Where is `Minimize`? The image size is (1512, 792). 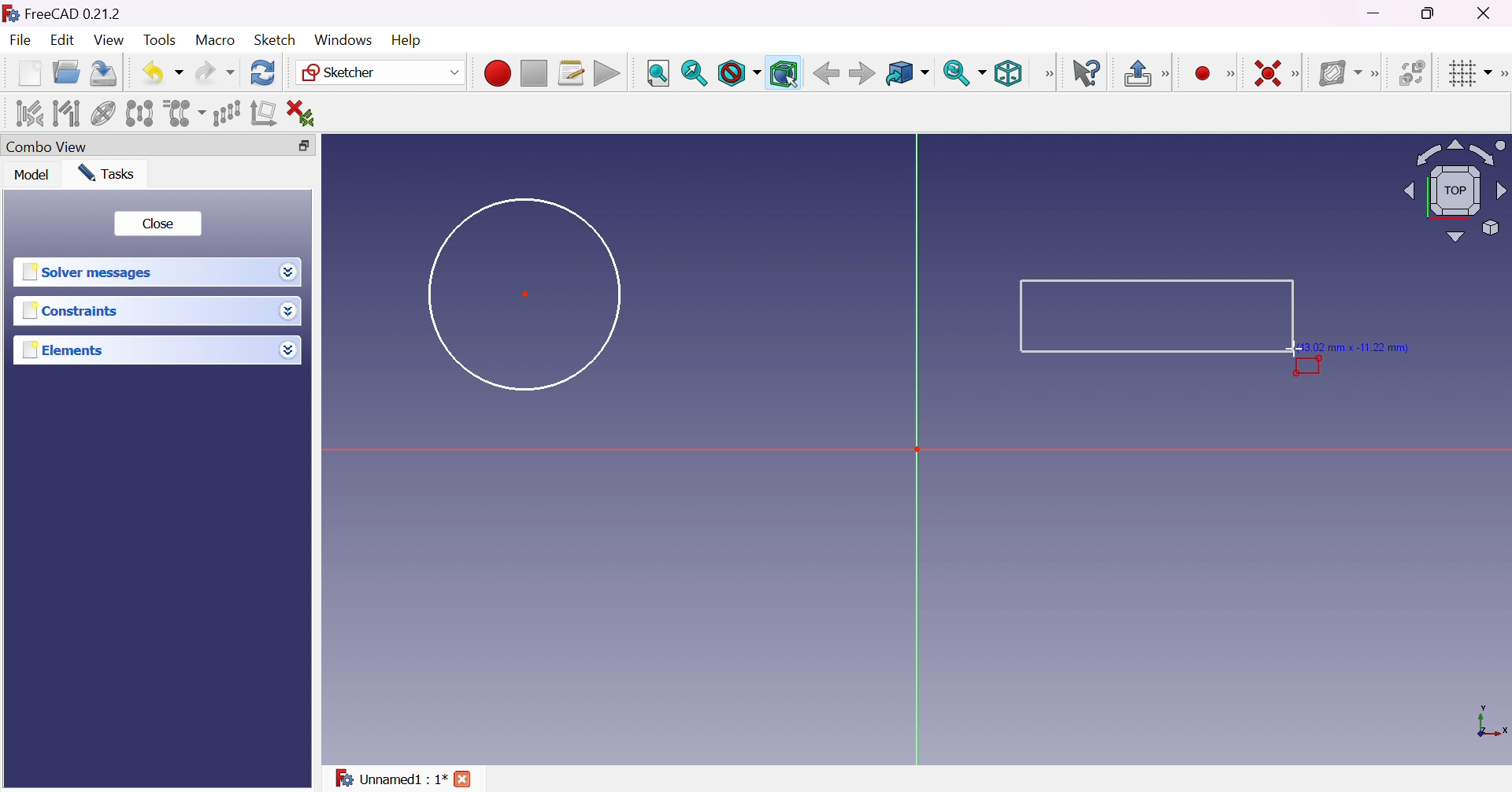 Minimize is located at coordinates (1377, 13).